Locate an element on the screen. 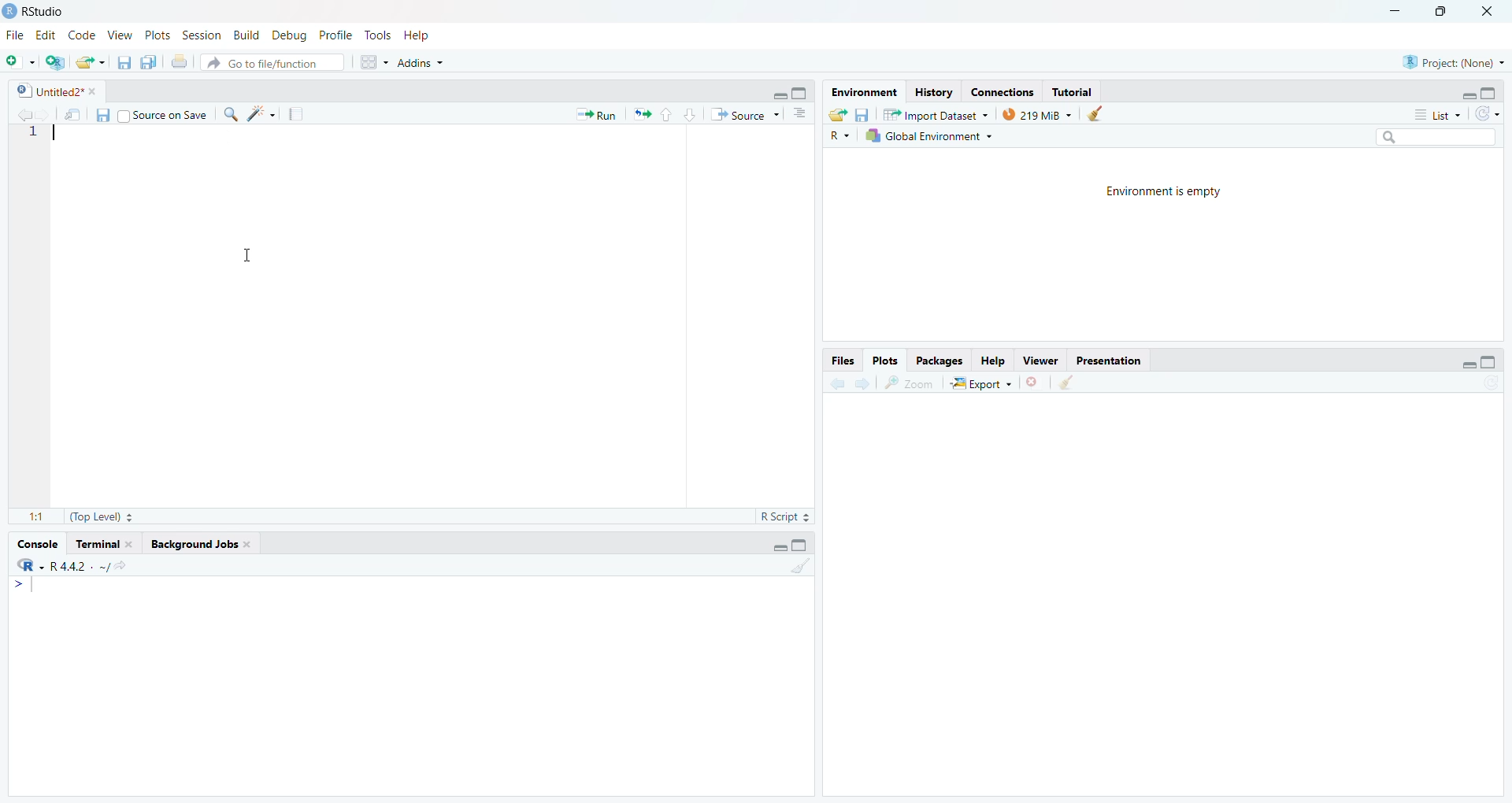  Save is located at coordinates (863, 114).